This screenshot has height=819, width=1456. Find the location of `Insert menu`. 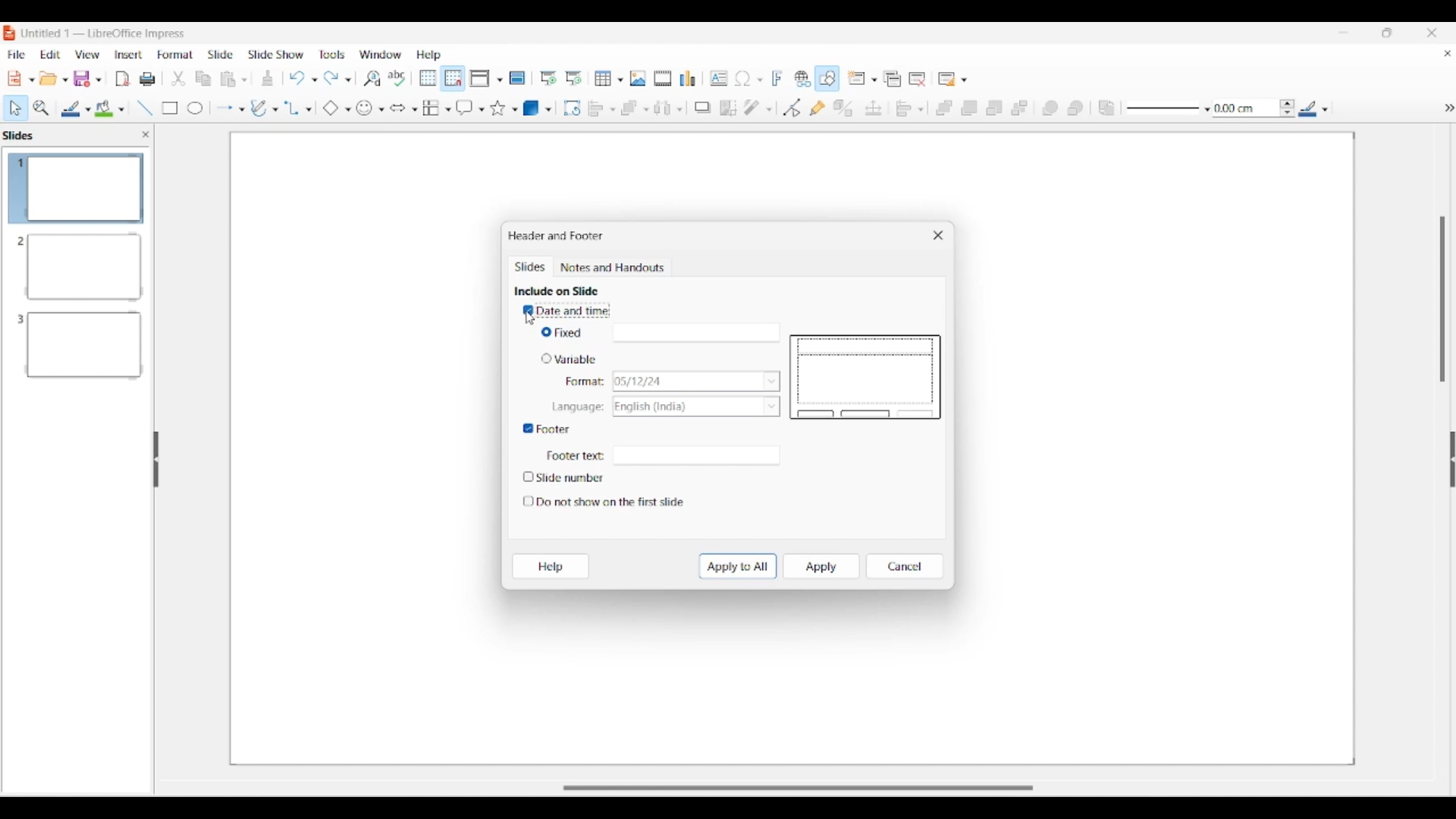

Insert menu is located at coordinates (128, 55).